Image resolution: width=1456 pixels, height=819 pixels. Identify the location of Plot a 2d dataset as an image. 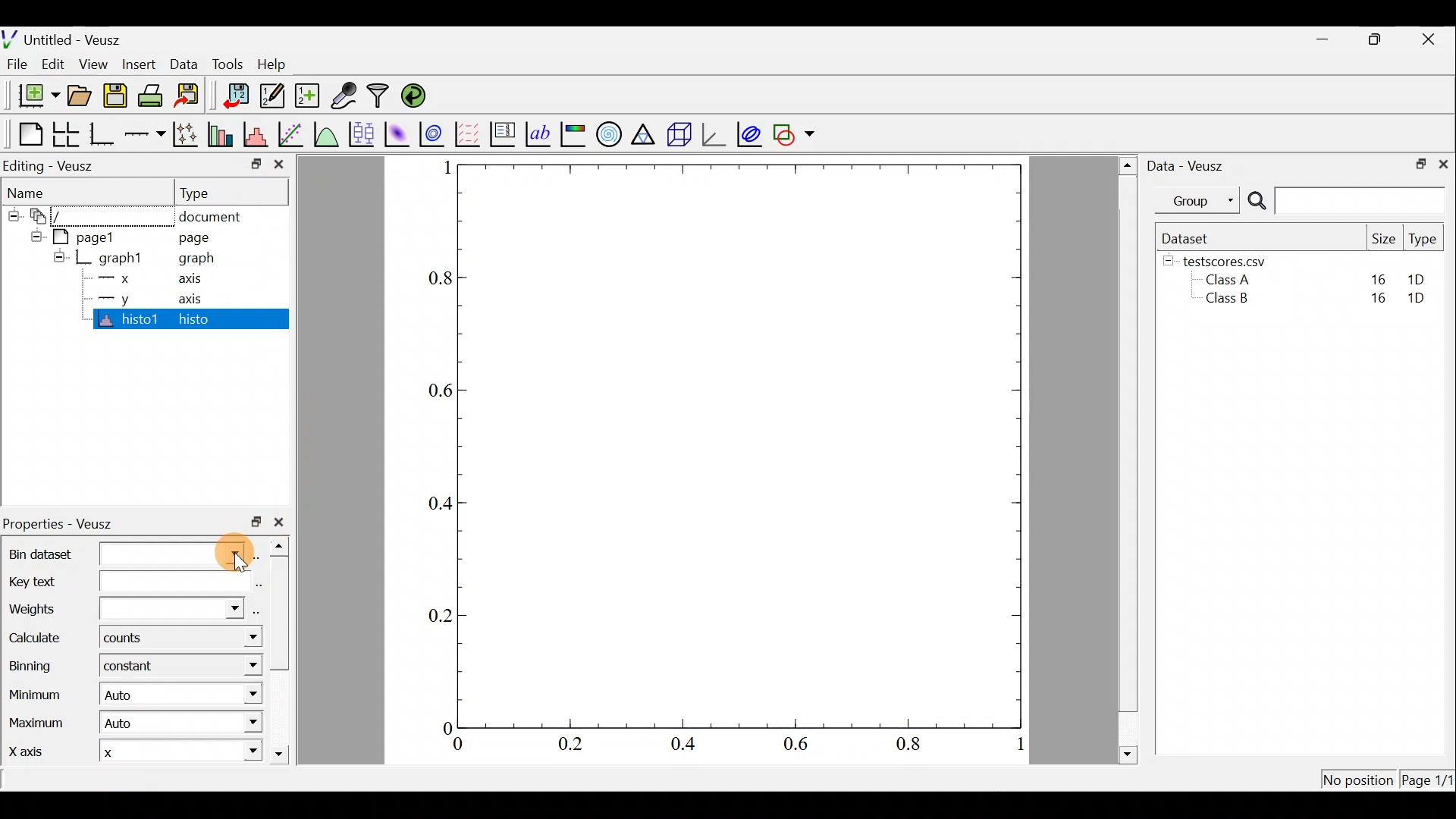
(396, 132).